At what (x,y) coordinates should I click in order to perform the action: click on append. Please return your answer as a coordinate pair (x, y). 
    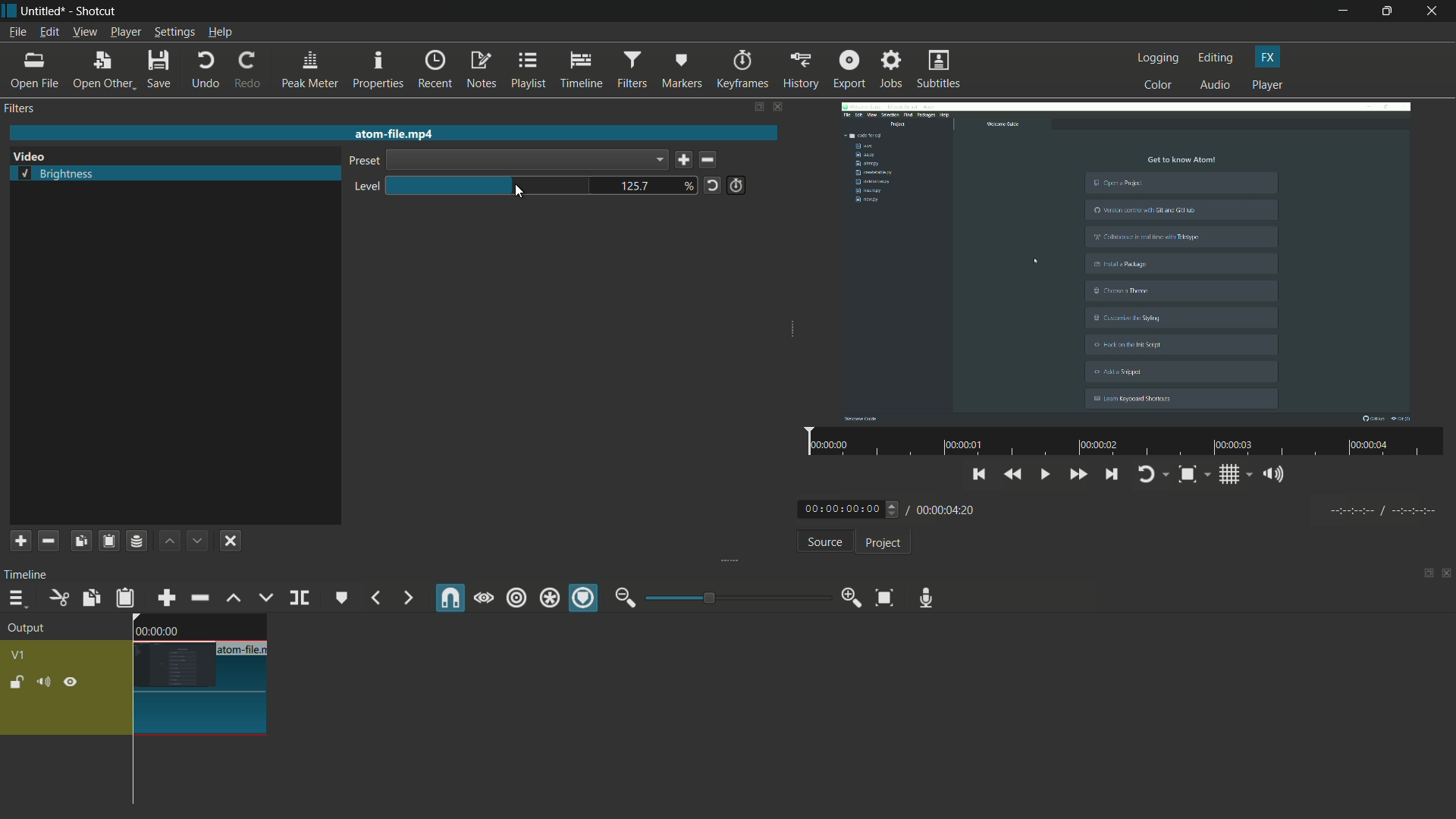
    Looking at the image, I should click on (165, 598).